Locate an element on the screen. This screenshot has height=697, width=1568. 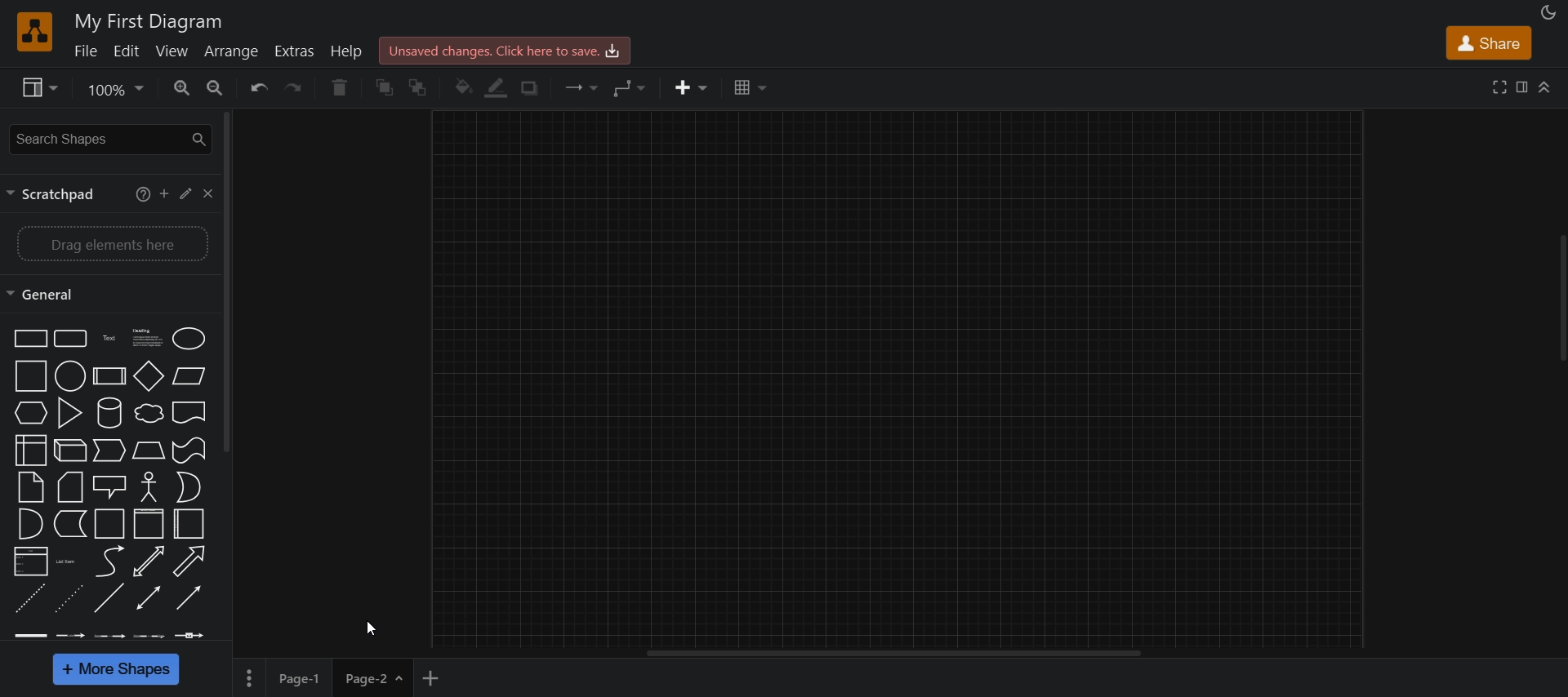
fullscreen is located at coordinates (1498, 89).